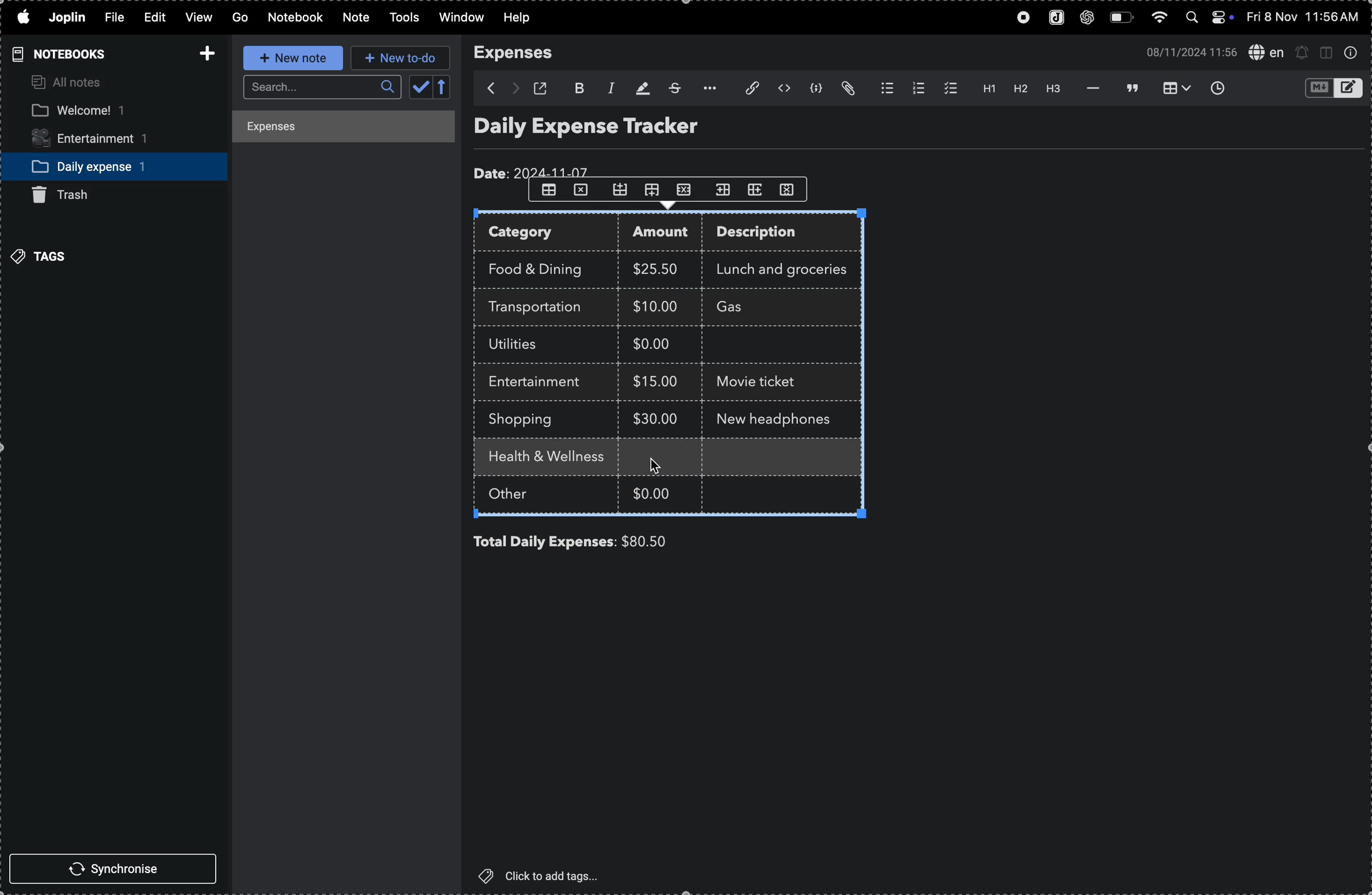 The height and width of the screenshot is (895, 1372). I want to click on amount, so click(665, 234).